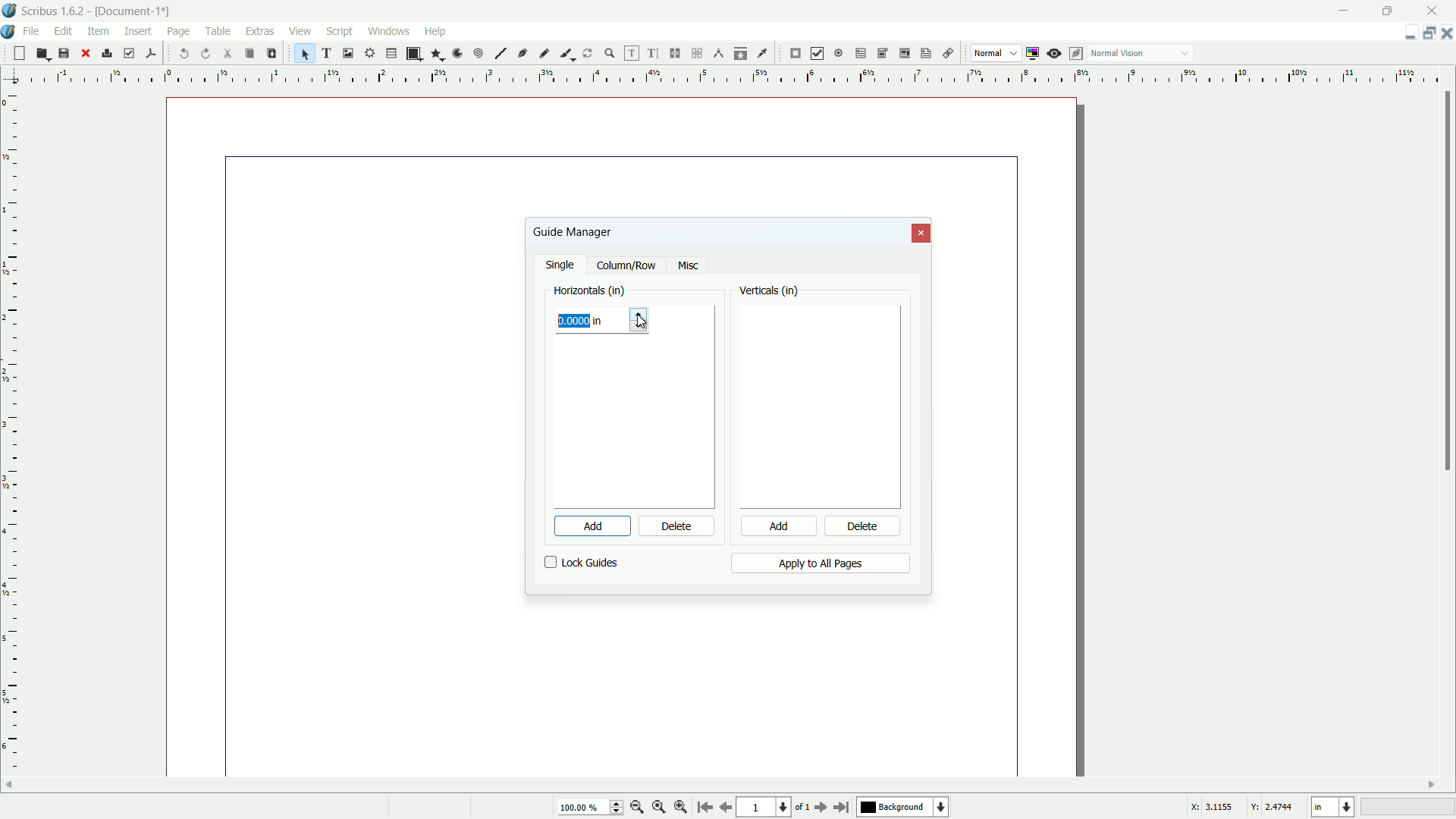  I want to click on link annotation, so click(945, 54).